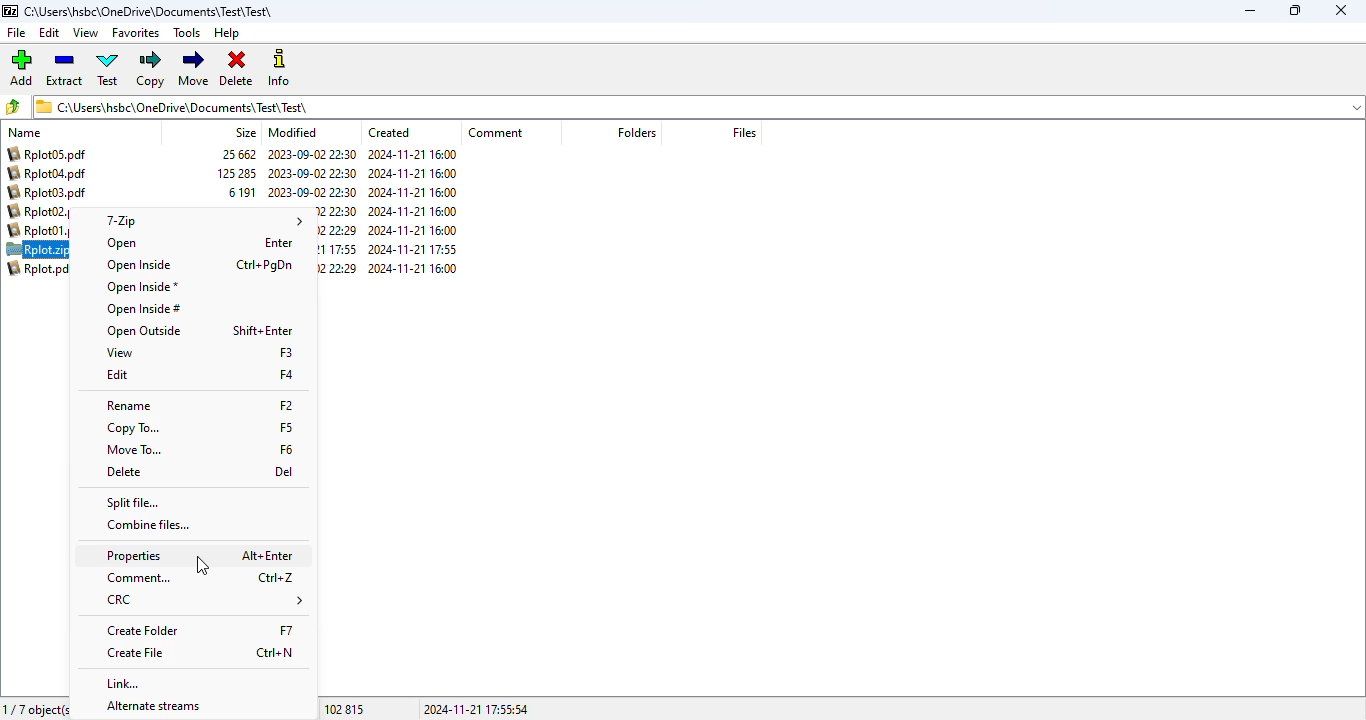  What do you see at coordinates (265, 265) in the screenshot?
I see `shortcut for open inside` at bounding box center [265, 265].